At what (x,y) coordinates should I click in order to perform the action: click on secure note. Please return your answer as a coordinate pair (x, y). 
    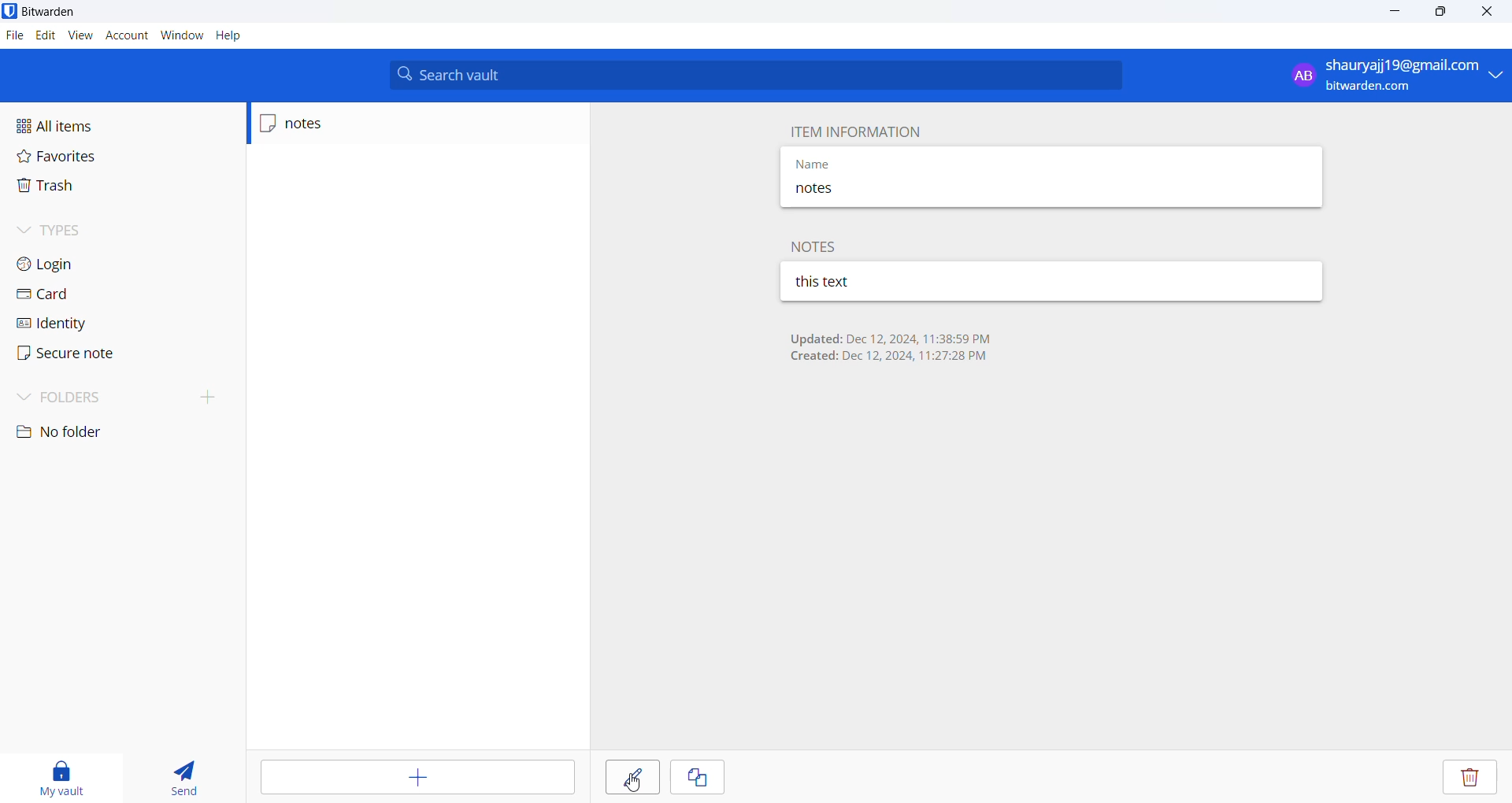
    Looking at the image, I should click on (76, 354).